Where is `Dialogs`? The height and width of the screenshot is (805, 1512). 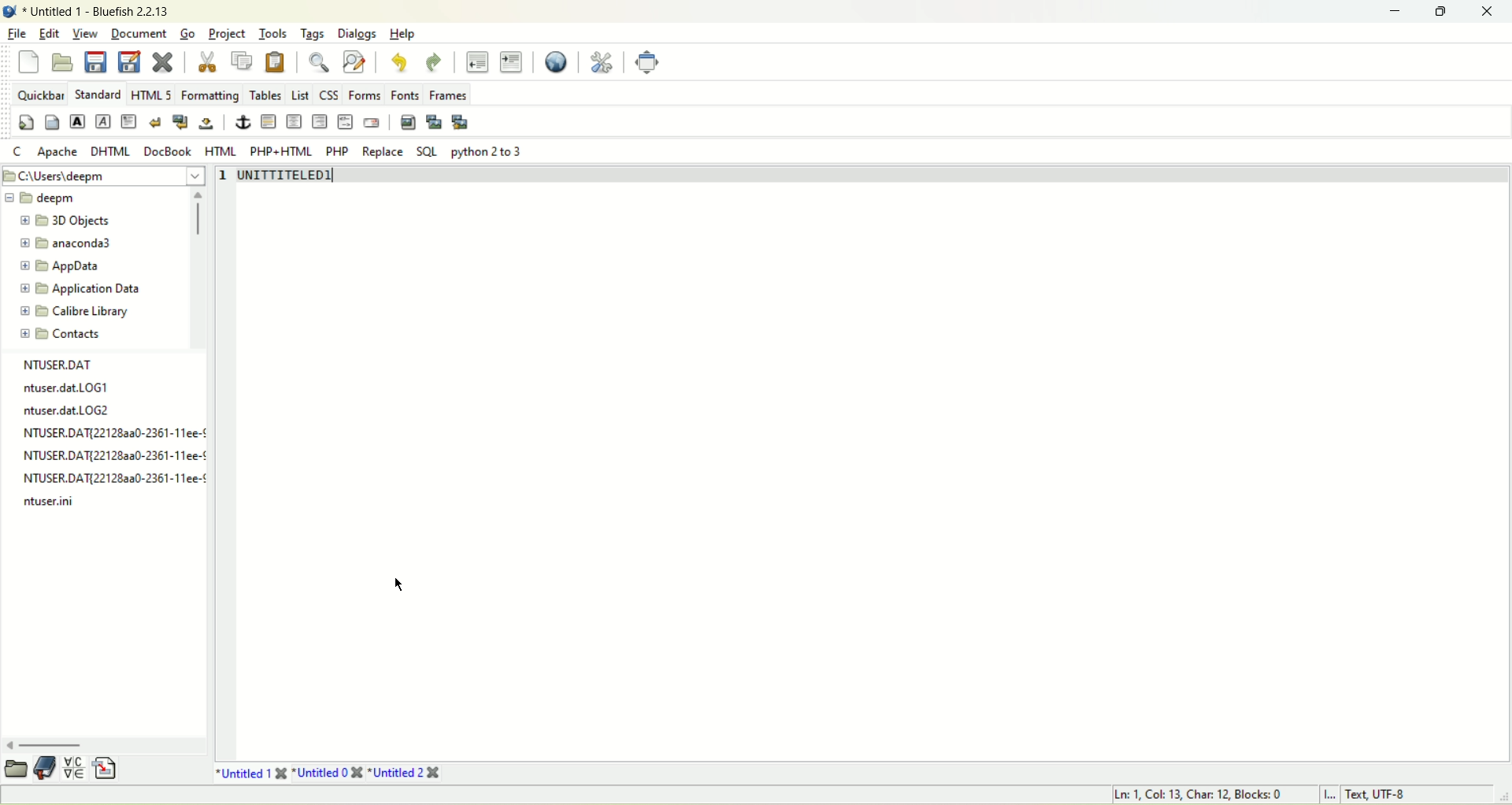
Dialogs is located at coordinates (359, 35).